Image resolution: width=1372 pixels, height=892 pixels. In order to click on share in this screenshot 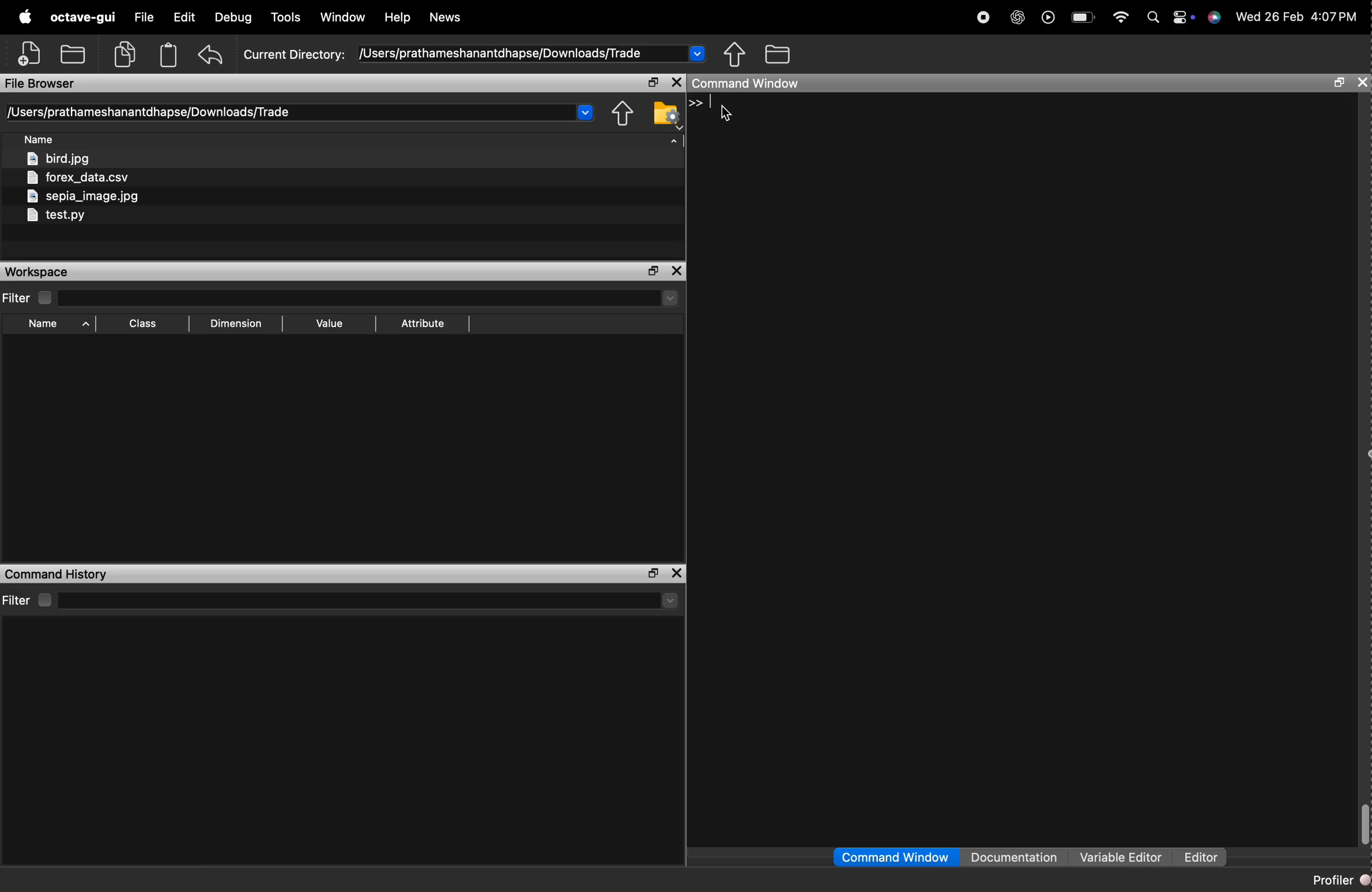, I will do `click(734, 53)`.